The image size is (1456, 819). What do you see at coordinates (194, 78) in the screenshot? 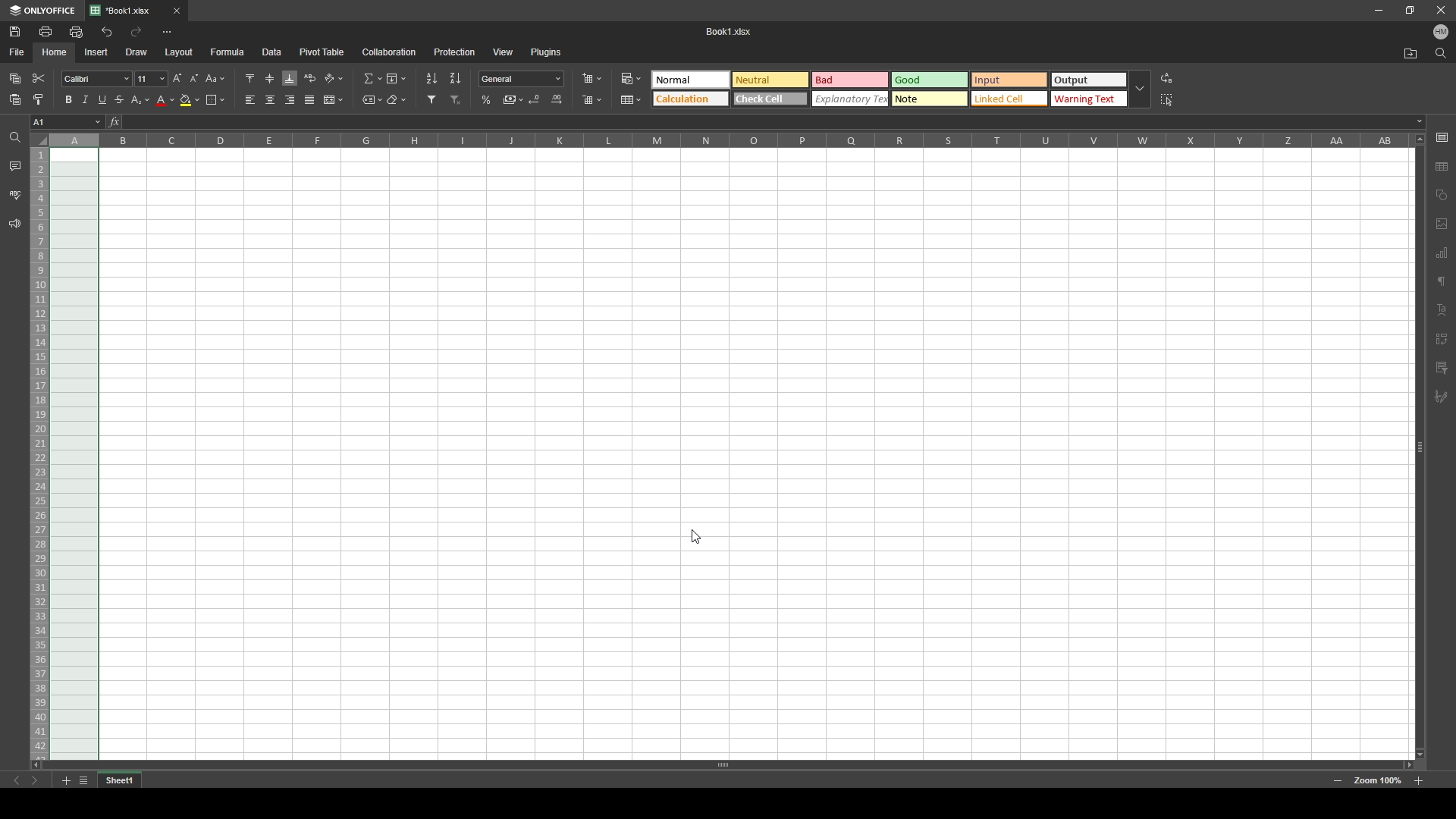
I see `decrement font size` at bounding box center [194, 78].